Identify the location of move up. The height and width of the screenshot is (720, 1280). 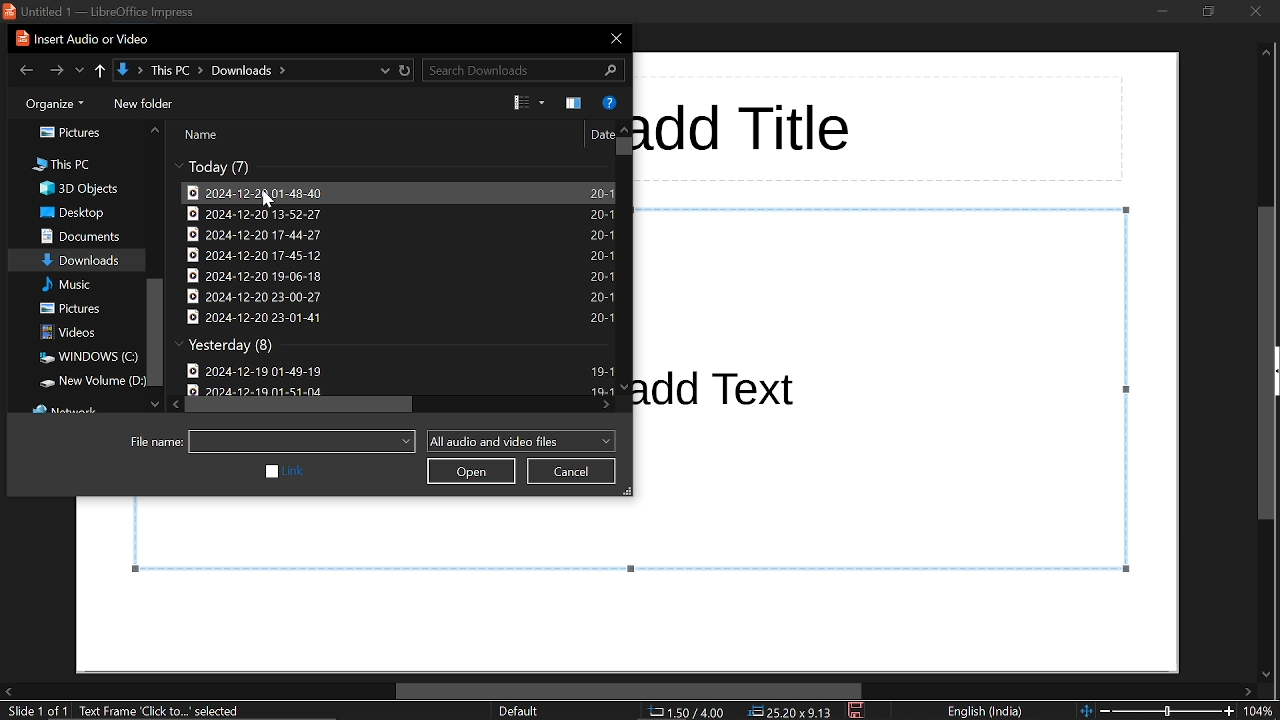
(153, 130).